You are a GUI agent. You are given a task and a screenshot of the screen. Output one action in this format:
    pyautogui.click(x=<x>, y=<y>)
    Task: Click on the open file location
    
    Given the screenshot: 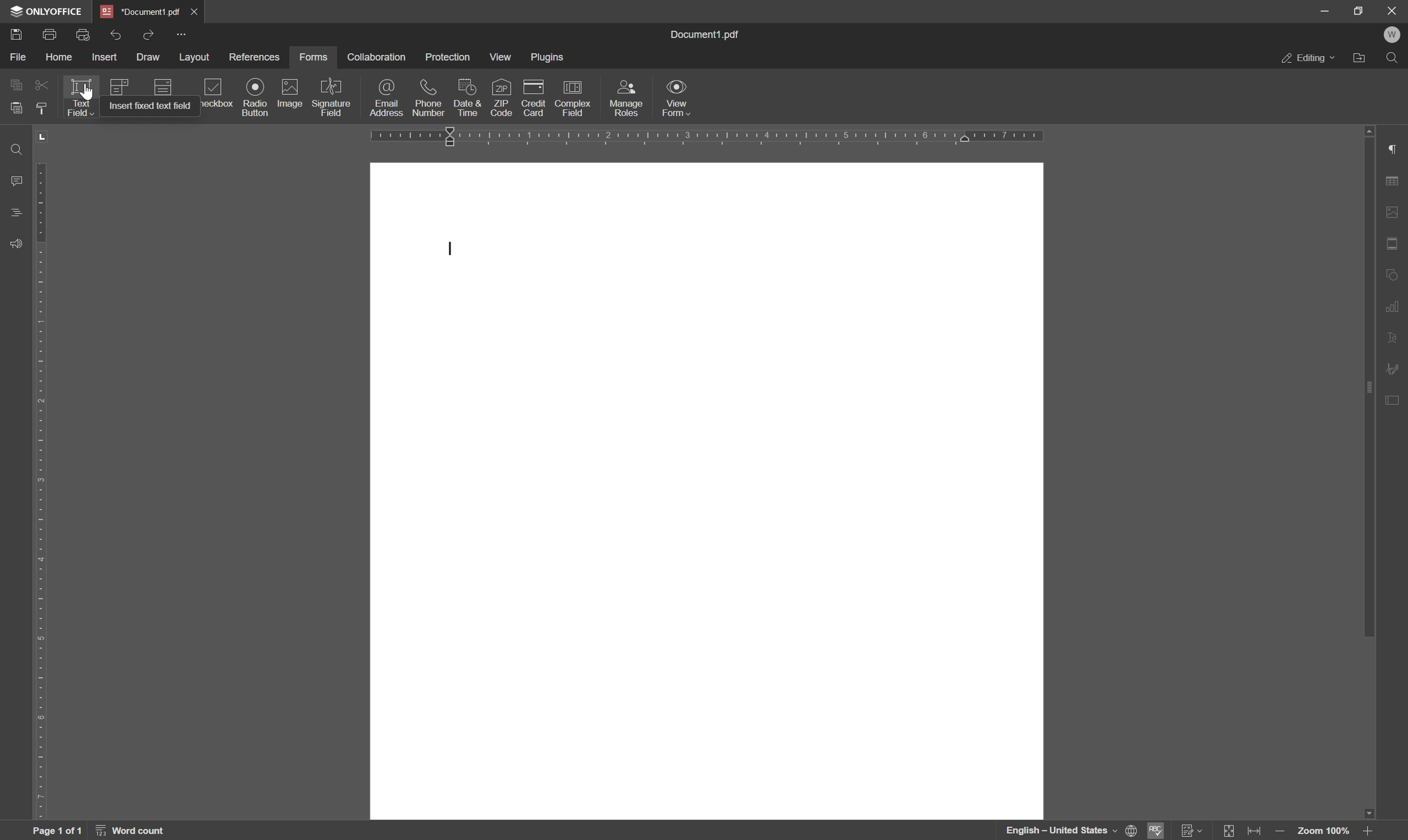 What is the action you would take?
    pyautogui.click(x=1359, y=58)
    